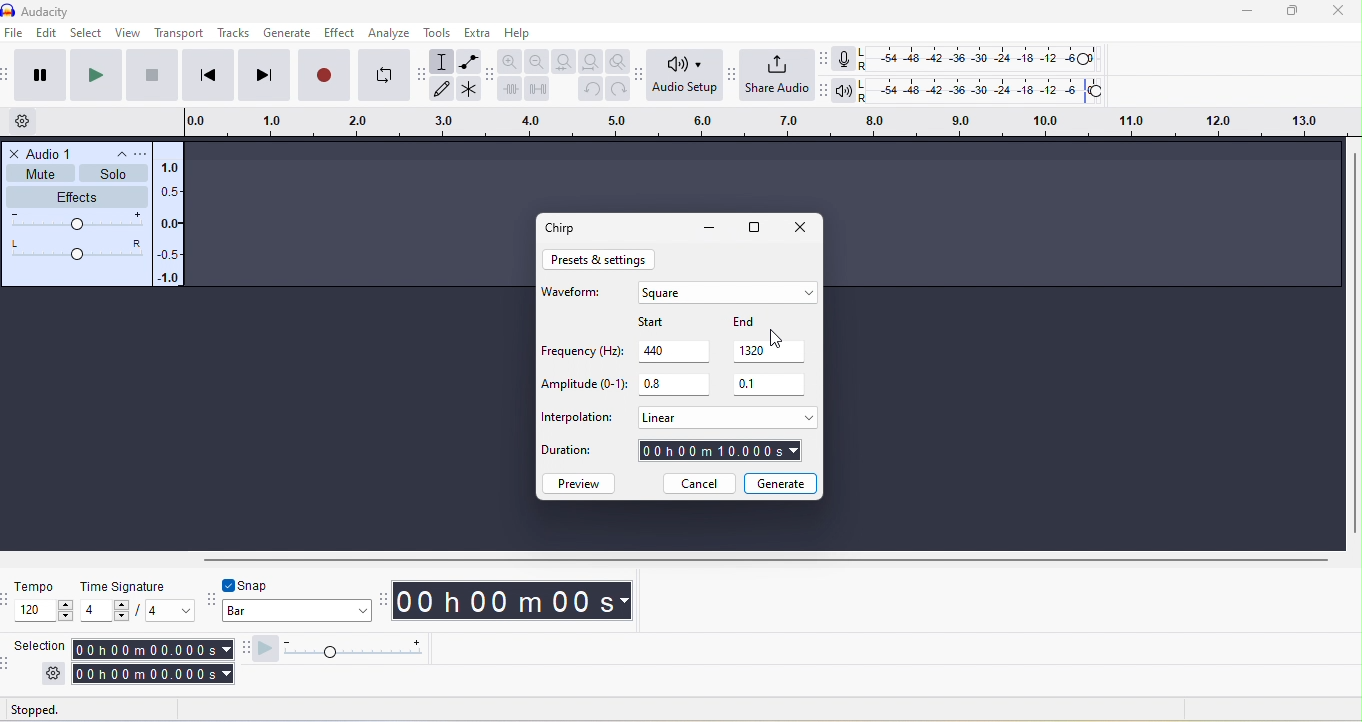 Image resolution: width=1362 pixels, height=722 pixels. What do you see at coordinates (286, 34) in the screenshot?
I see `generate` at bounding box center [286, 34].